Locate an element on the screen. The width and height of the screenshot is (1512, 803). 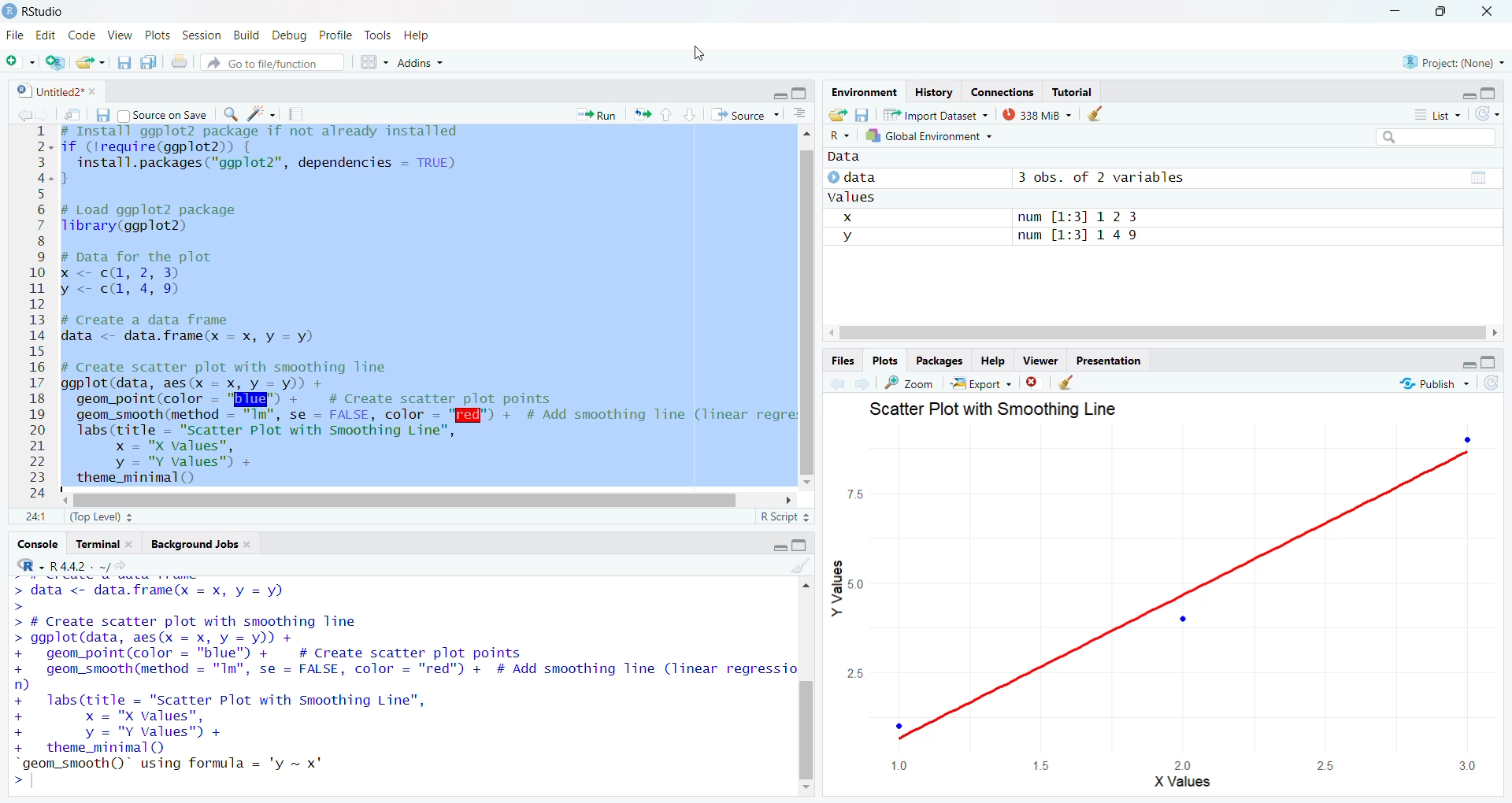
hide console is located at coordinates (1490, 94).